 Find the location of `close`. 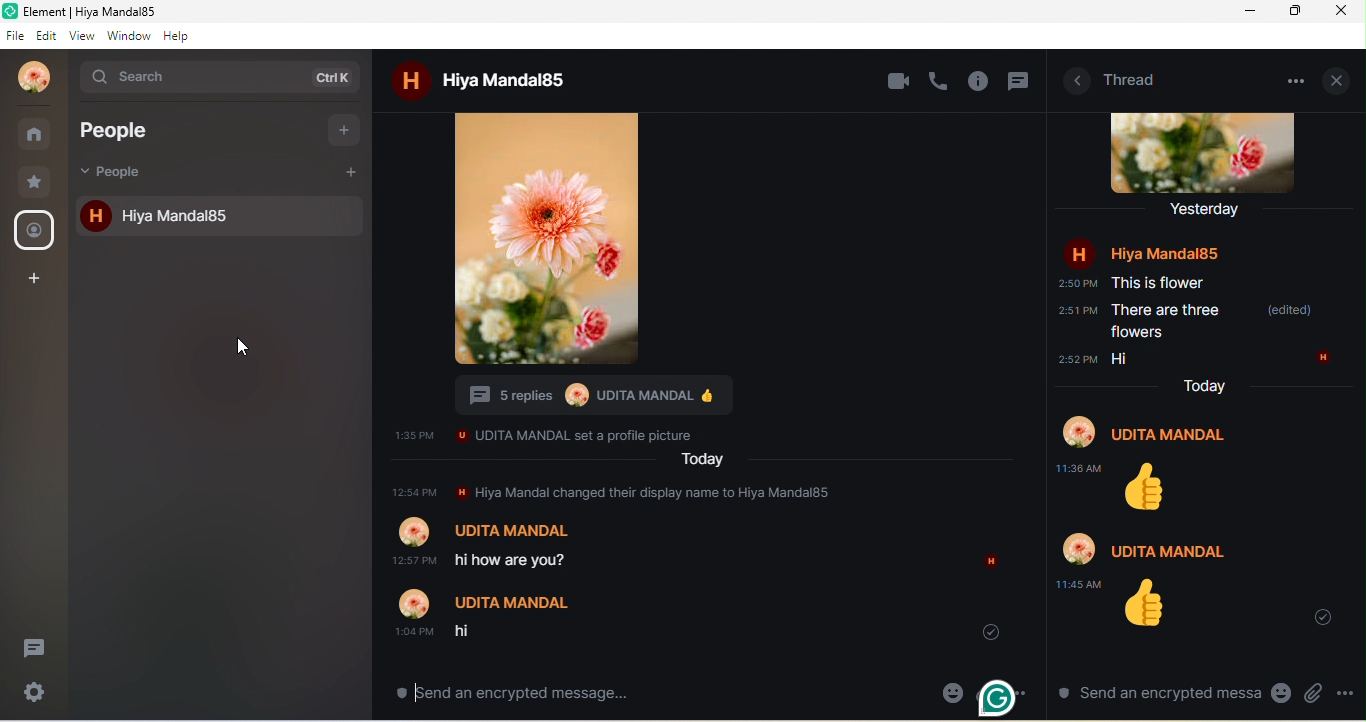

close is located at coordinates (1339, 78).